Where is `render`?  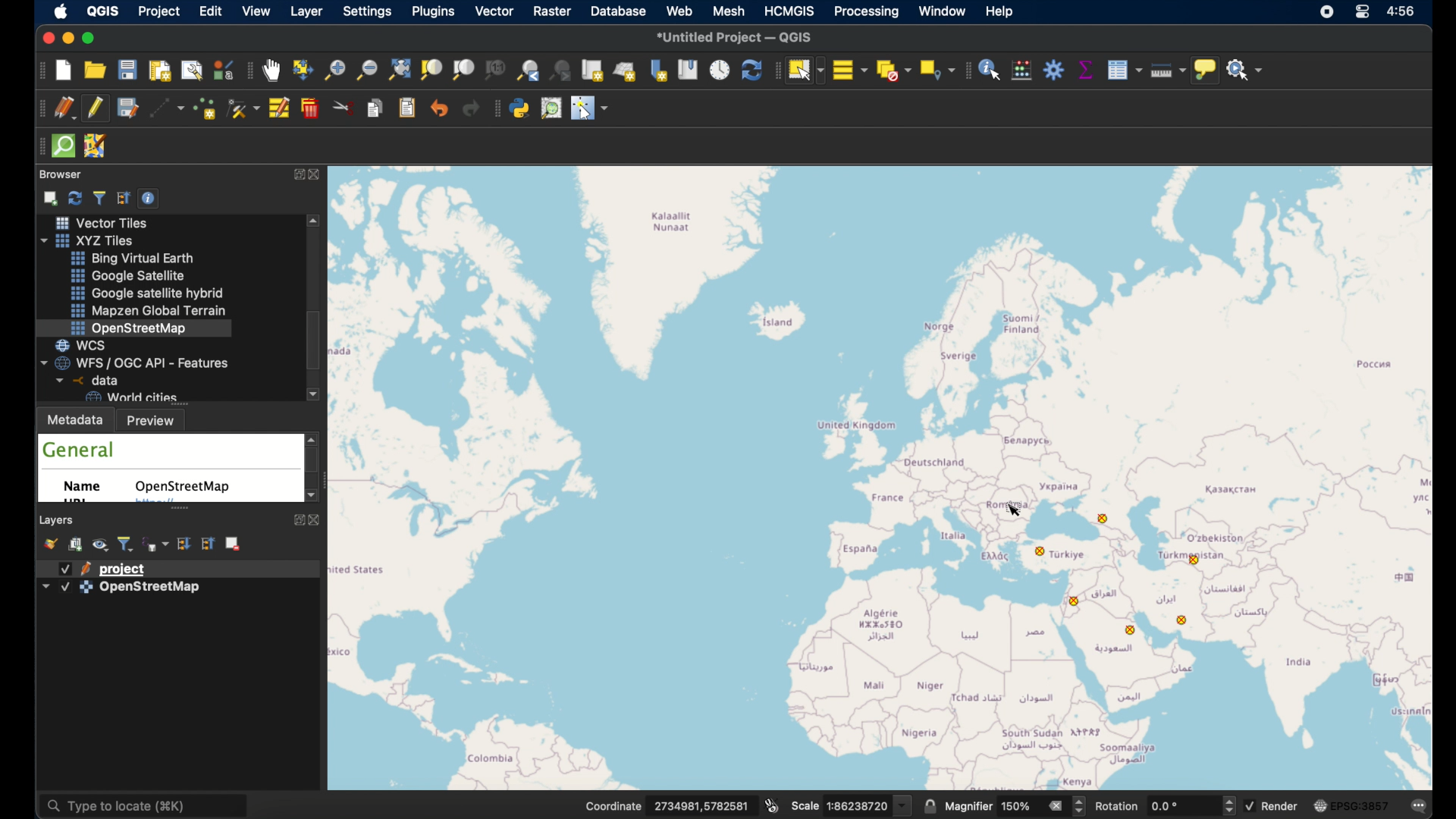
render is located at coordinates (1282, 805).